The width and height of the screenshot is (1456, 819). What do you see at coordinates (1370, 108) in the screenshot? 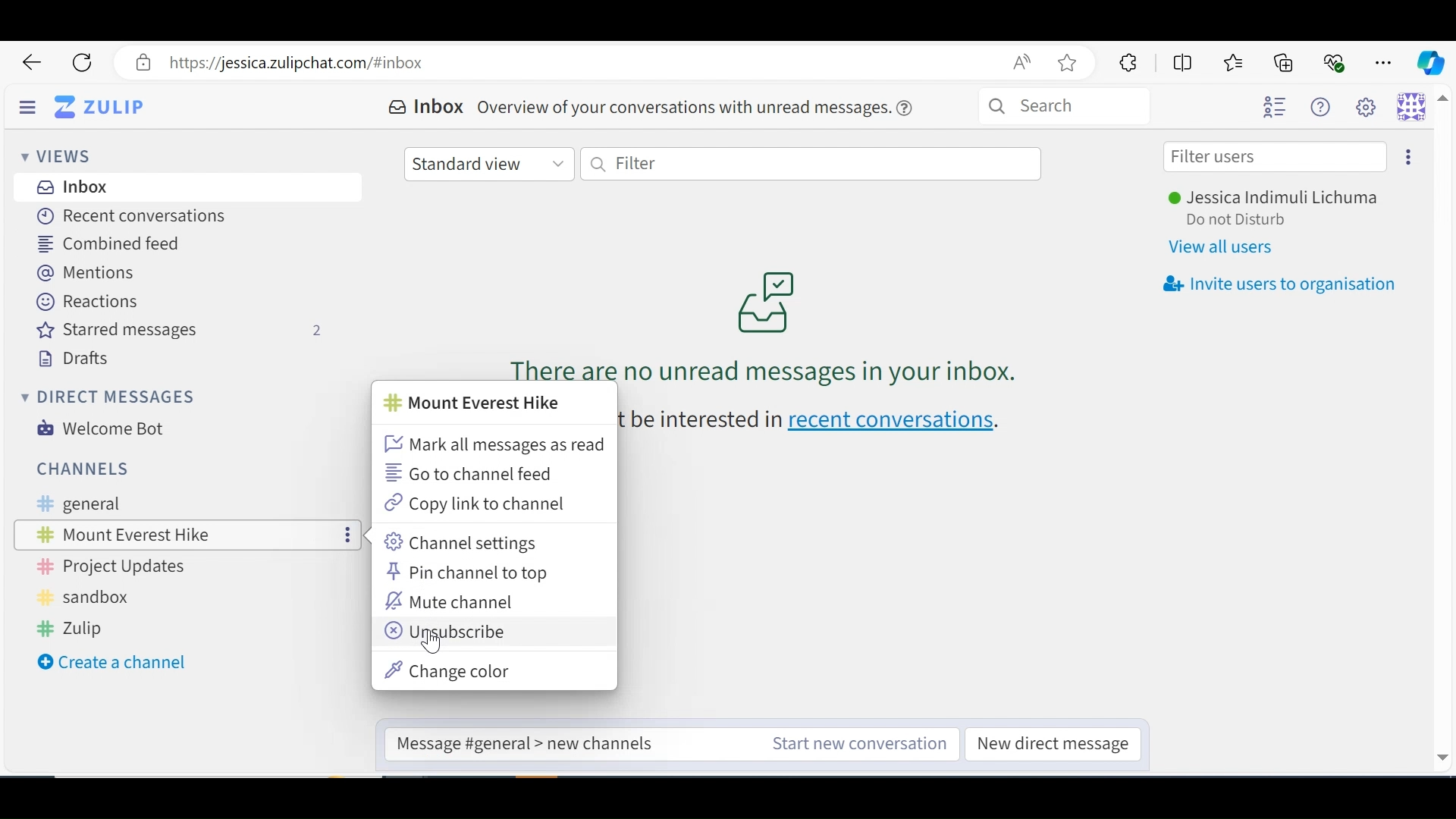
I see `main settings` at bounding box center [1370, 108].